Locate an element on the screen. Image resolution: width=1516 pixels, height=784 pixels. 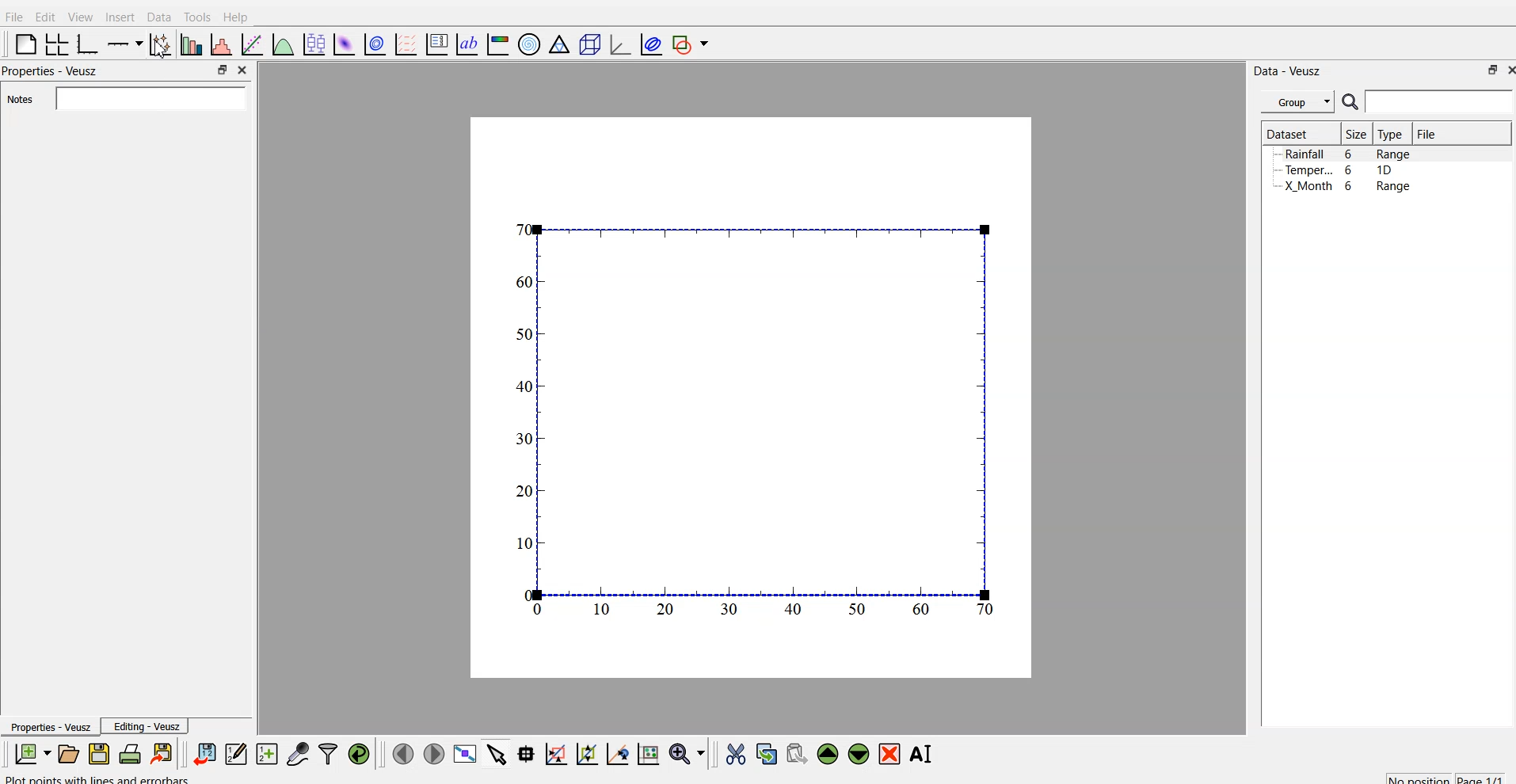
move down the widget  is located at coordinates (856, 755).